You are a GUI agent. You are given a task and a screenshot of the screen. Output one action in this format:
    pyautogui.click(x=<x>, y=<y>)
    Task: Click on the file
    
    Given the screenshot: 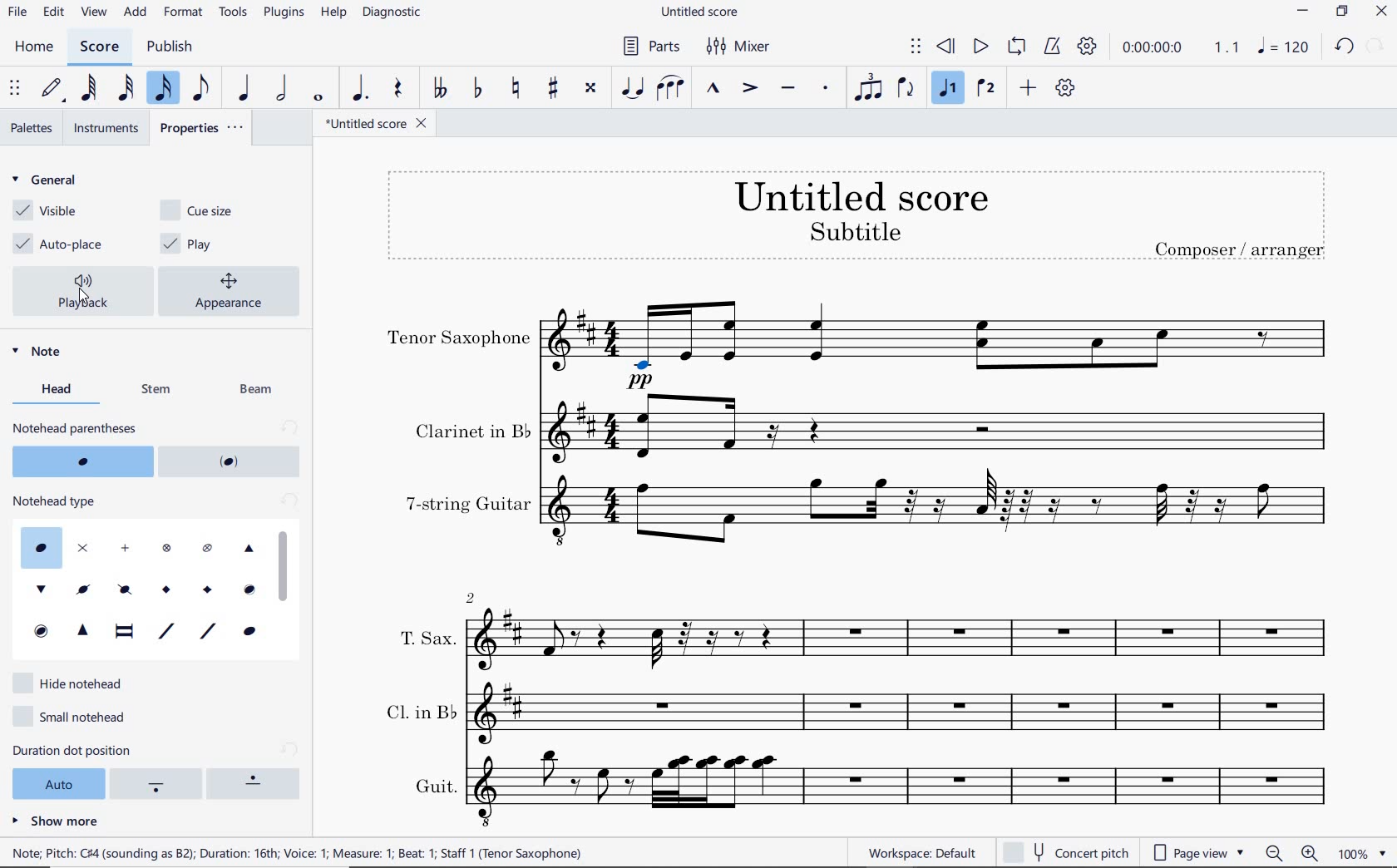 What is the action you would take?
    pyautogui.click(x=20, y=12)
    